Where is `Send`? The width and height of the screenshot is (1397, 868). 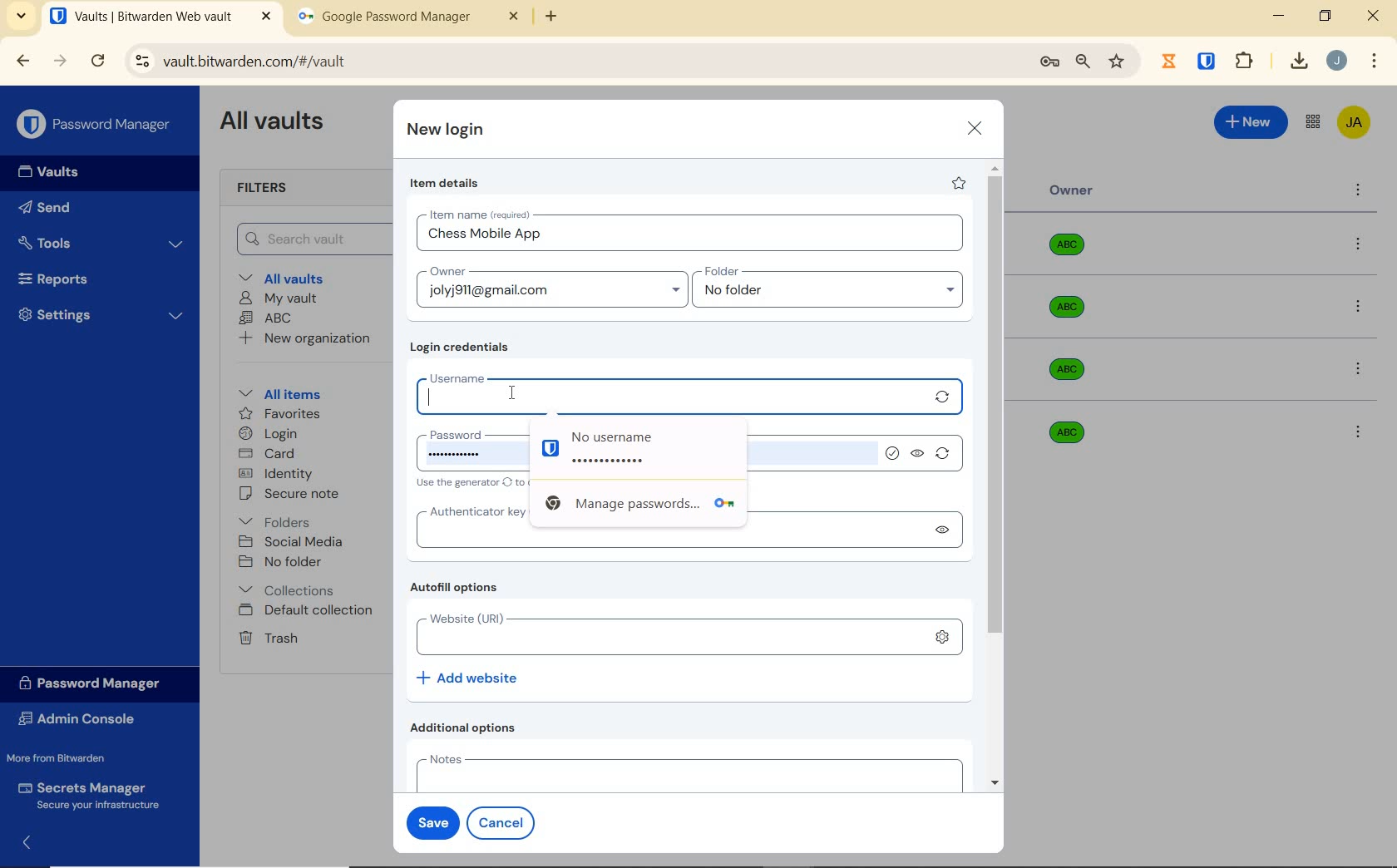 Send is located at coordinates (45, 210).